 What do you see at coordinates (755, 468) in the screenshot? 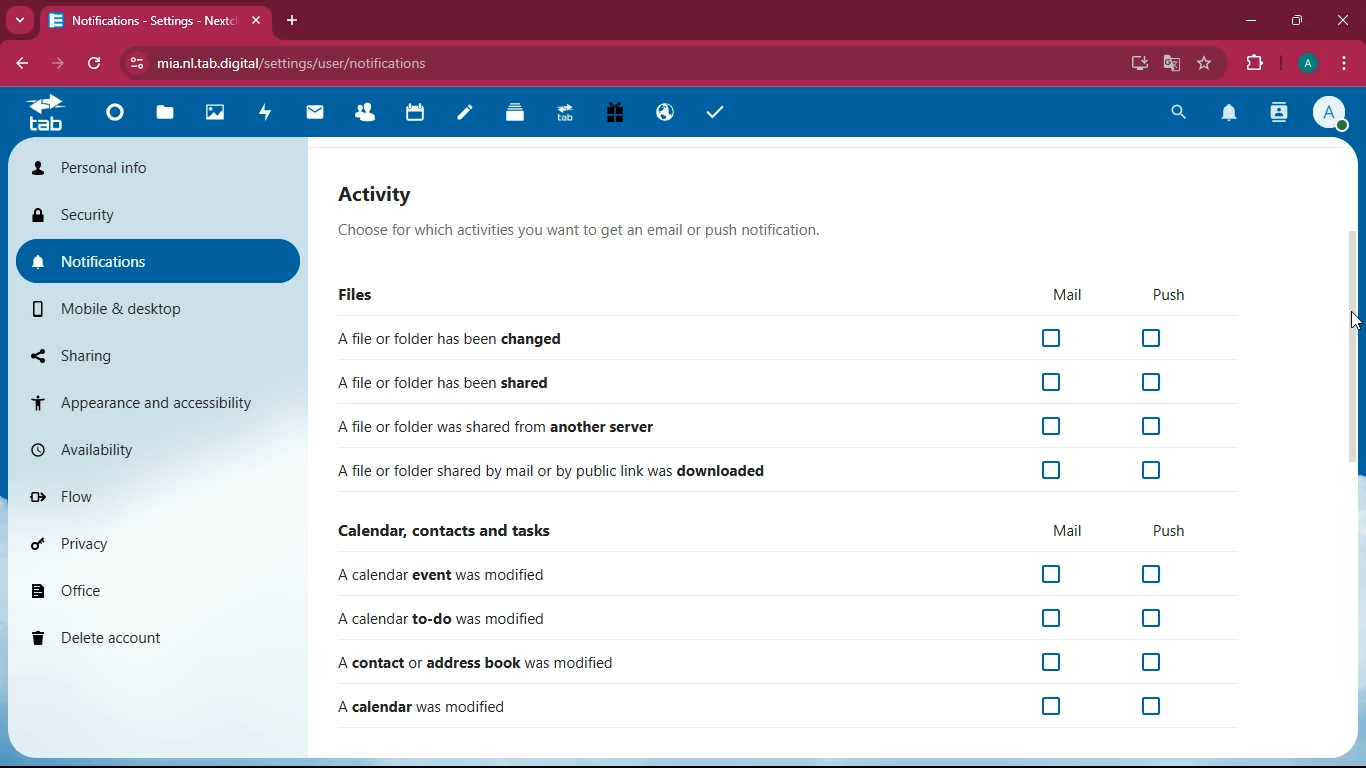
I see `A file or folder shared by mail or by public link was downloaded` at bounding box center [755, 468].